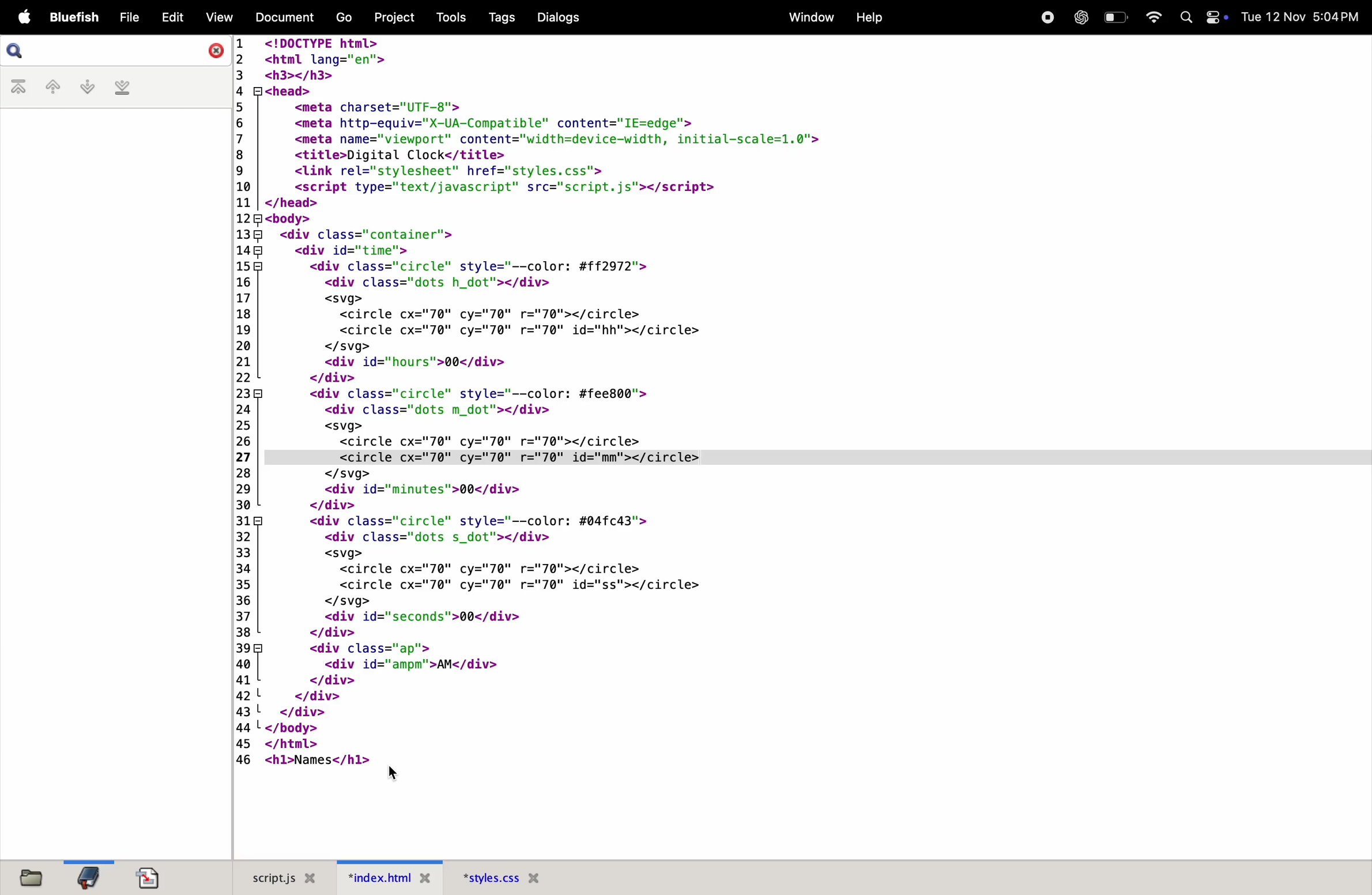 Image resolution: width=1372 pixels, height=895 pixels. Describe the element at coordinates (170, 16) in the screenshot. I see `edit` at that location.